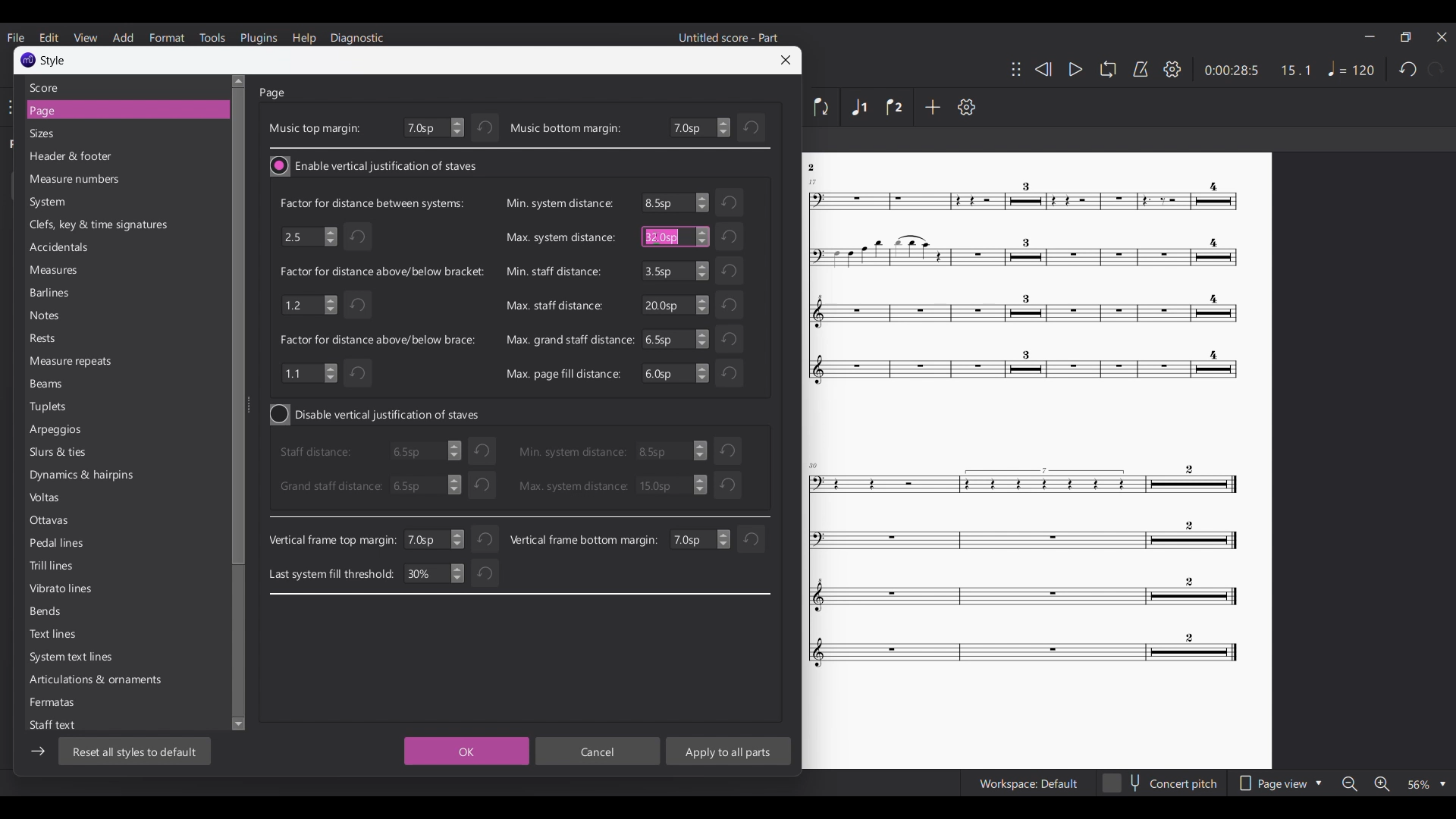 The height and width of the screenshot is (819, 1456). I want to click on Undo, so click(732, 237).